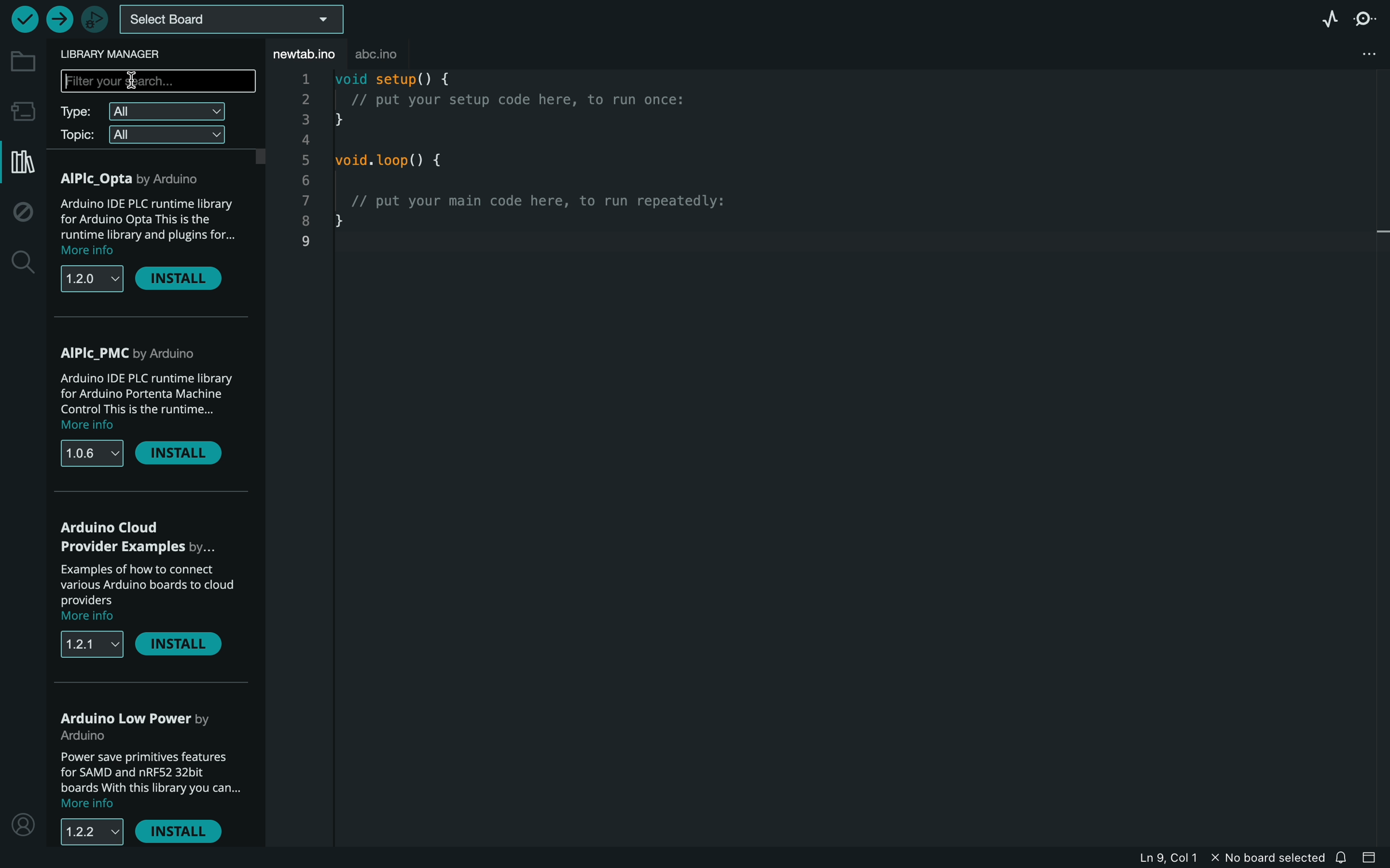  What do you see at coordinates (1365, 20) in the screenshot?
I see `serial monitor` at bounding box center [1365, 20].